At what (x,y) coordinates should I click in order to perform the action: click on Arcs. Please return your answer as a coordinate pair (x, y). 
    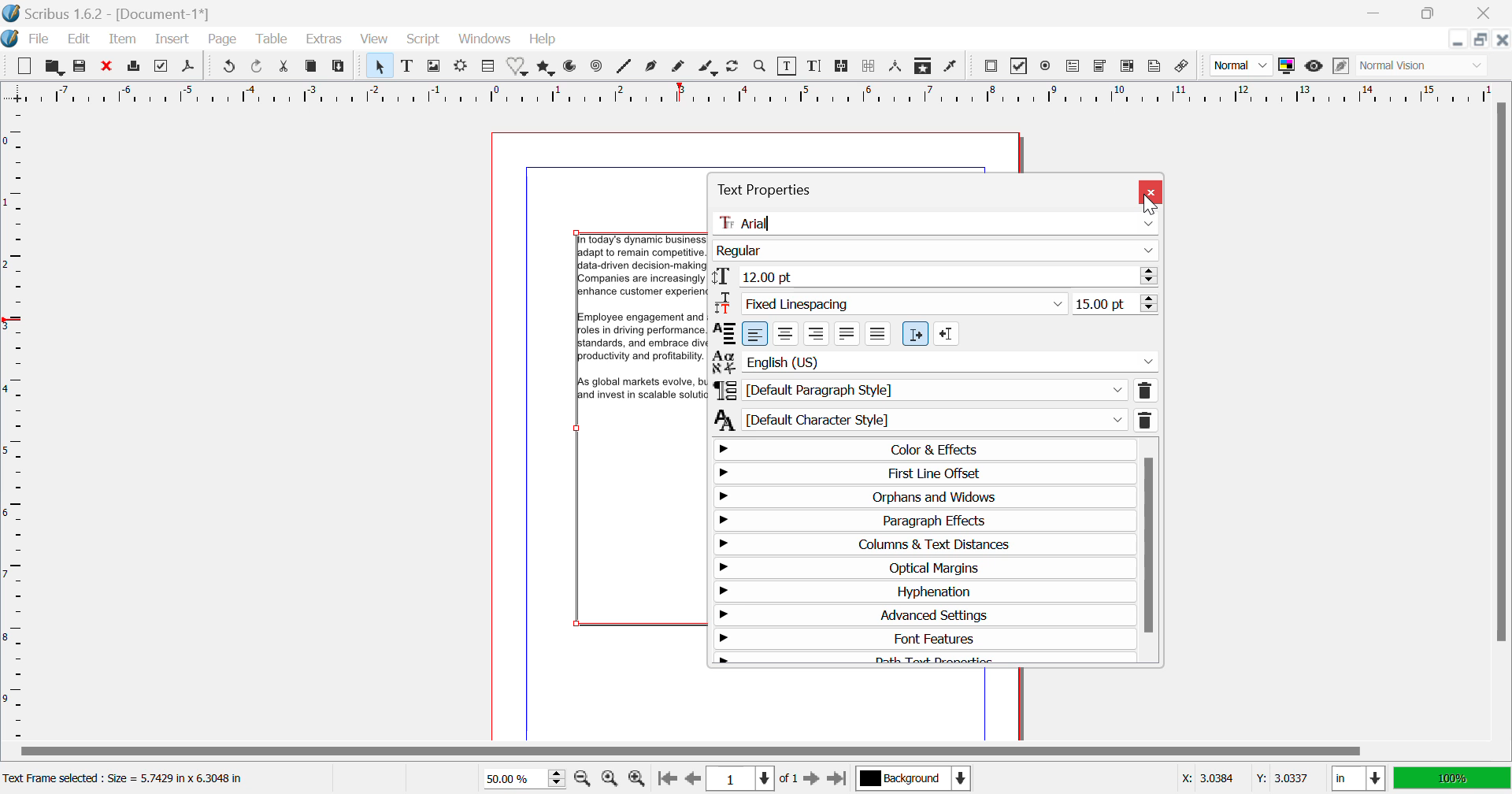
    Looking at the image, I should click on (572, 67).